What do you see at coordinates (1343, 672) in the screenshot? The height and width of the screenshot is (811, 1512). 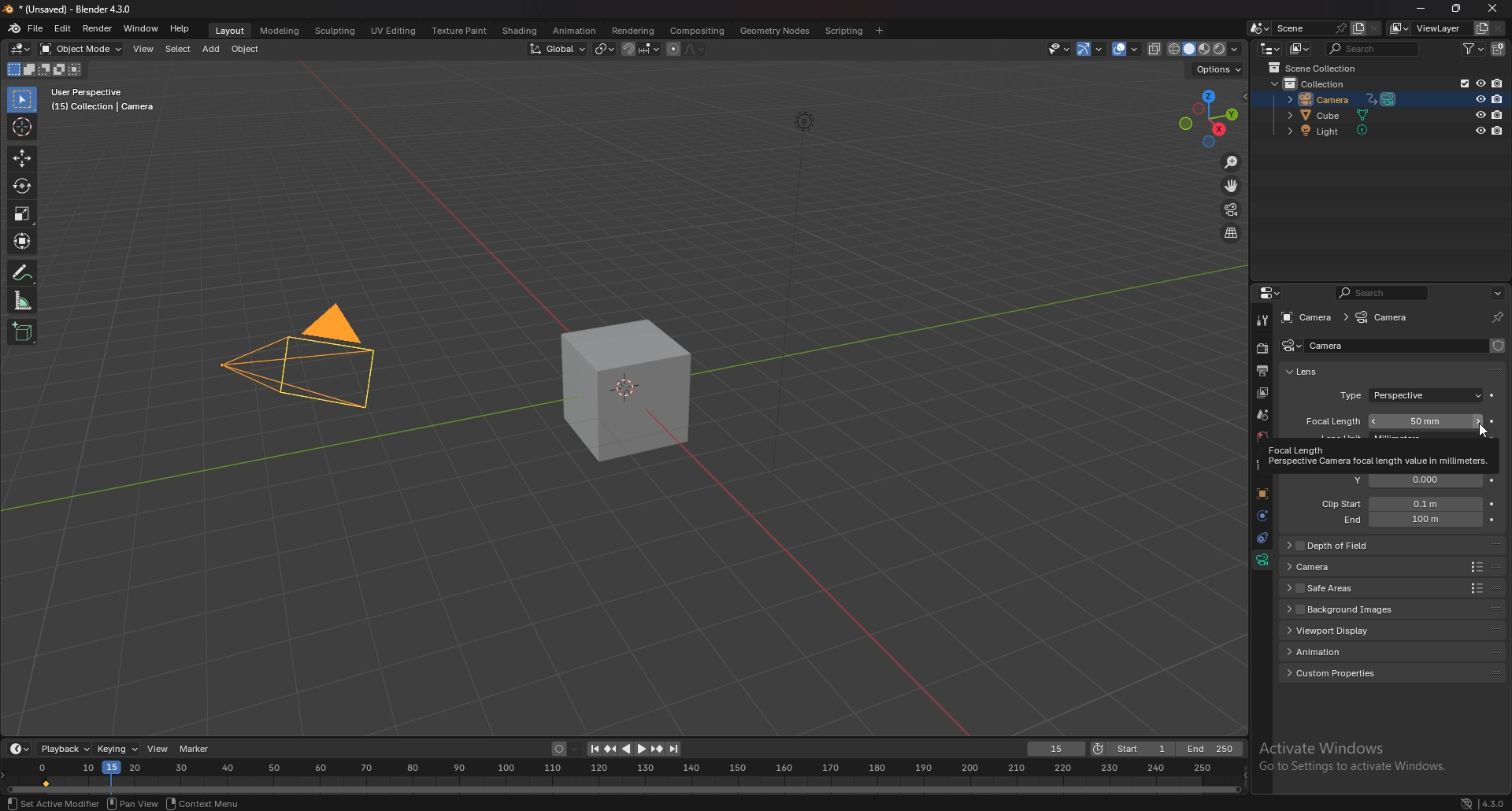 I see `custom properties` at bounding box center [1343, 672].